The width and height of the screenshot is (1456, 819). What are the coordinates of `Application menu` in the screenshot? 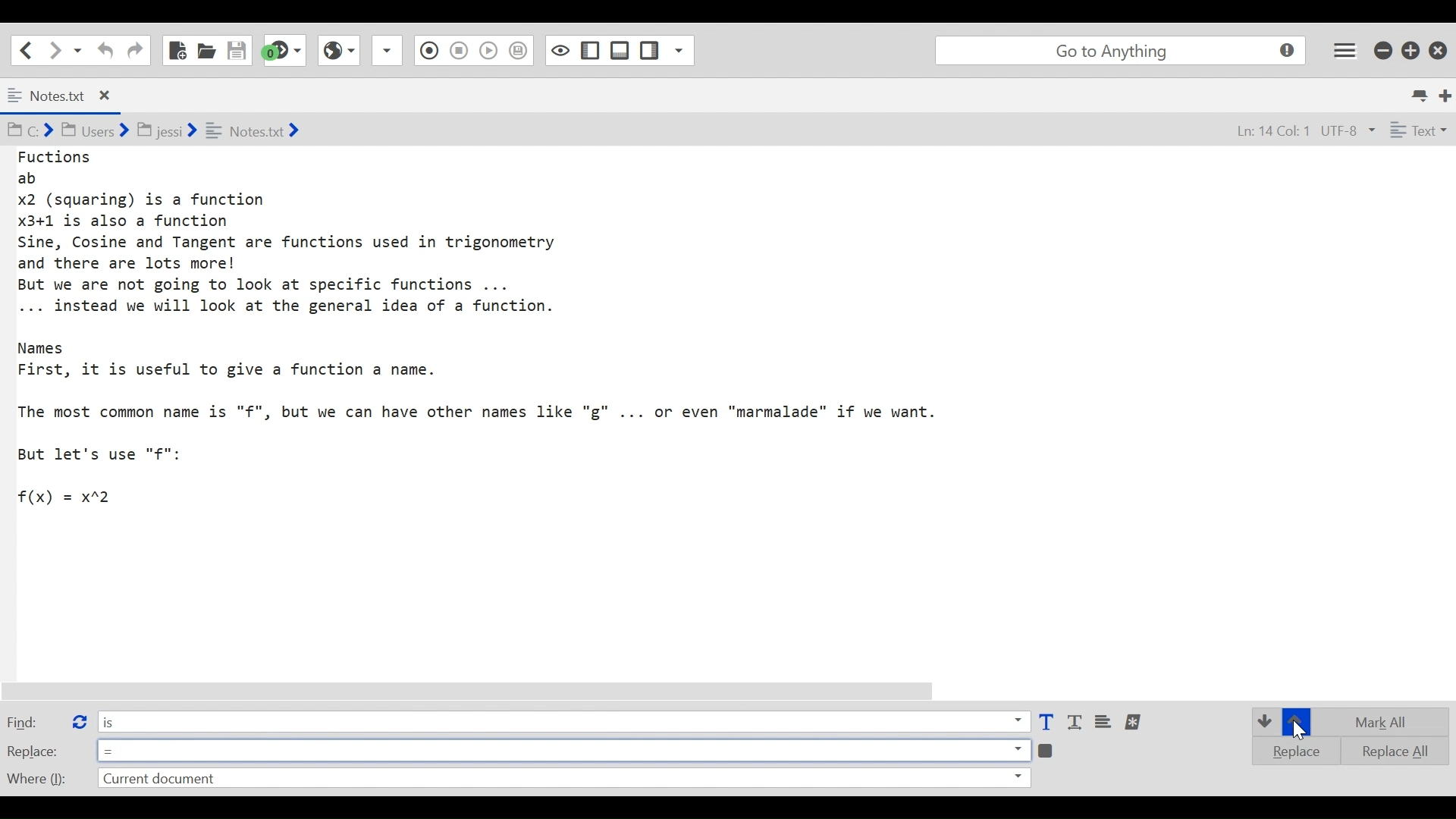 It's located at (1346, 49).